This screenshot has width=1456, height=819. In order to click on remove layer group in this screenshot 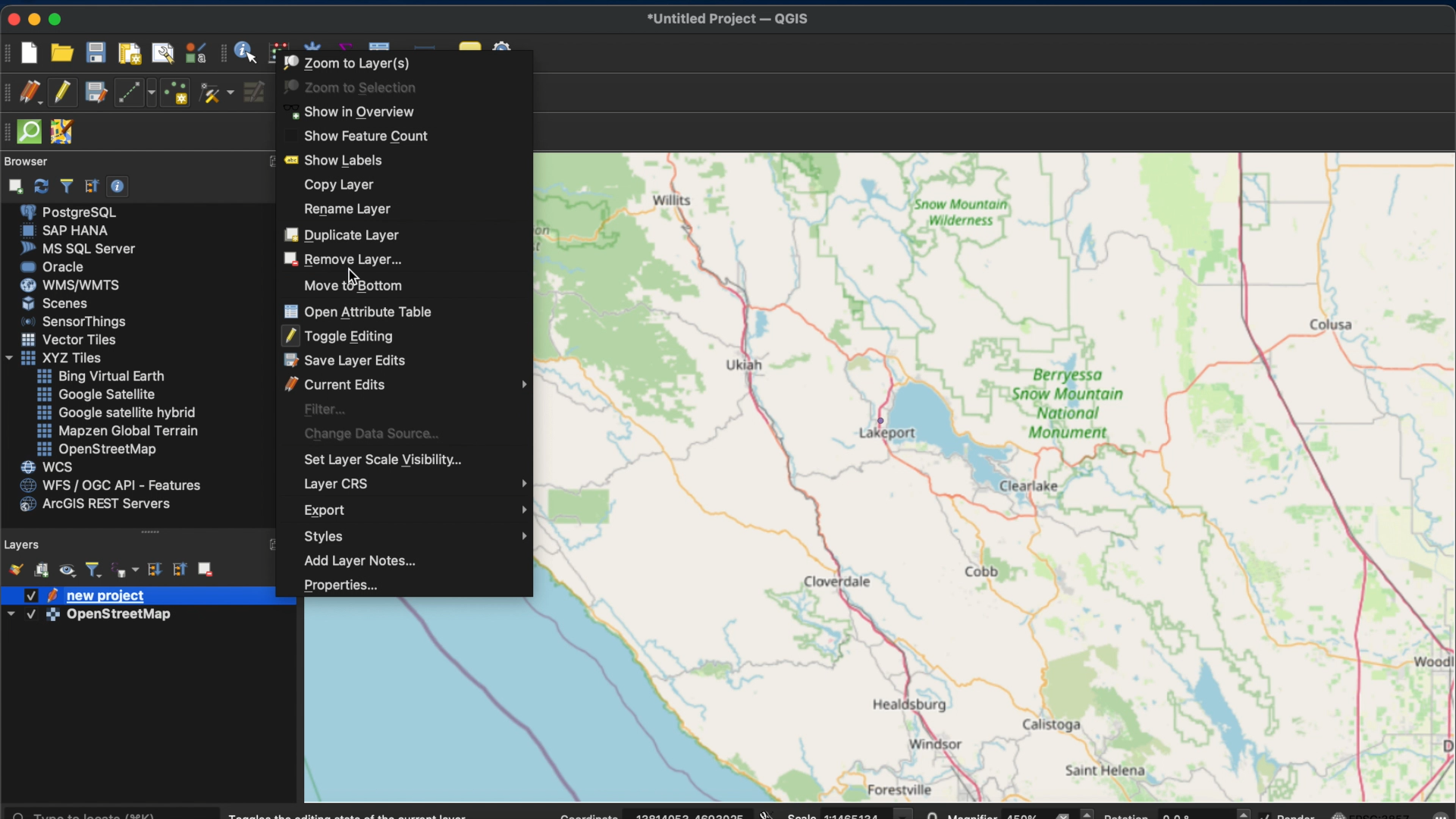, I will do `click(206, 568)`.